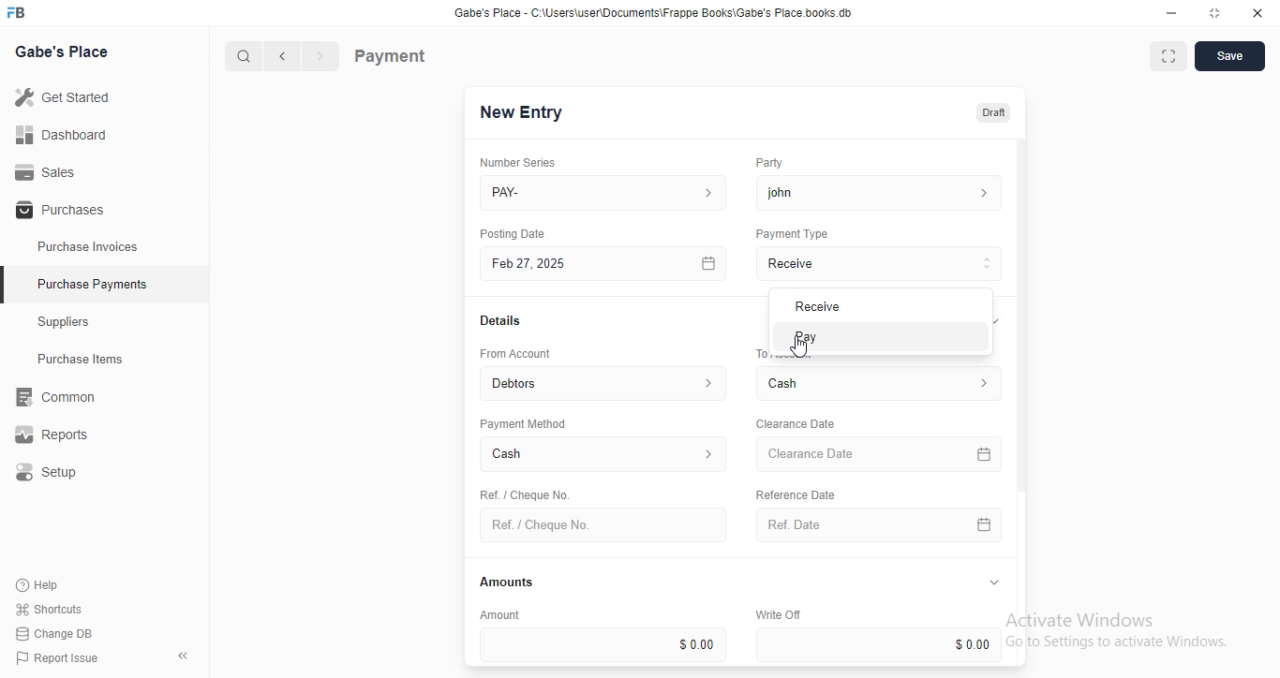 The image size is (1280, 678). What do you see at coordinates (522, 423) in the screenshot?
I see `‘Payment Method` at bounding box center [522, 423].